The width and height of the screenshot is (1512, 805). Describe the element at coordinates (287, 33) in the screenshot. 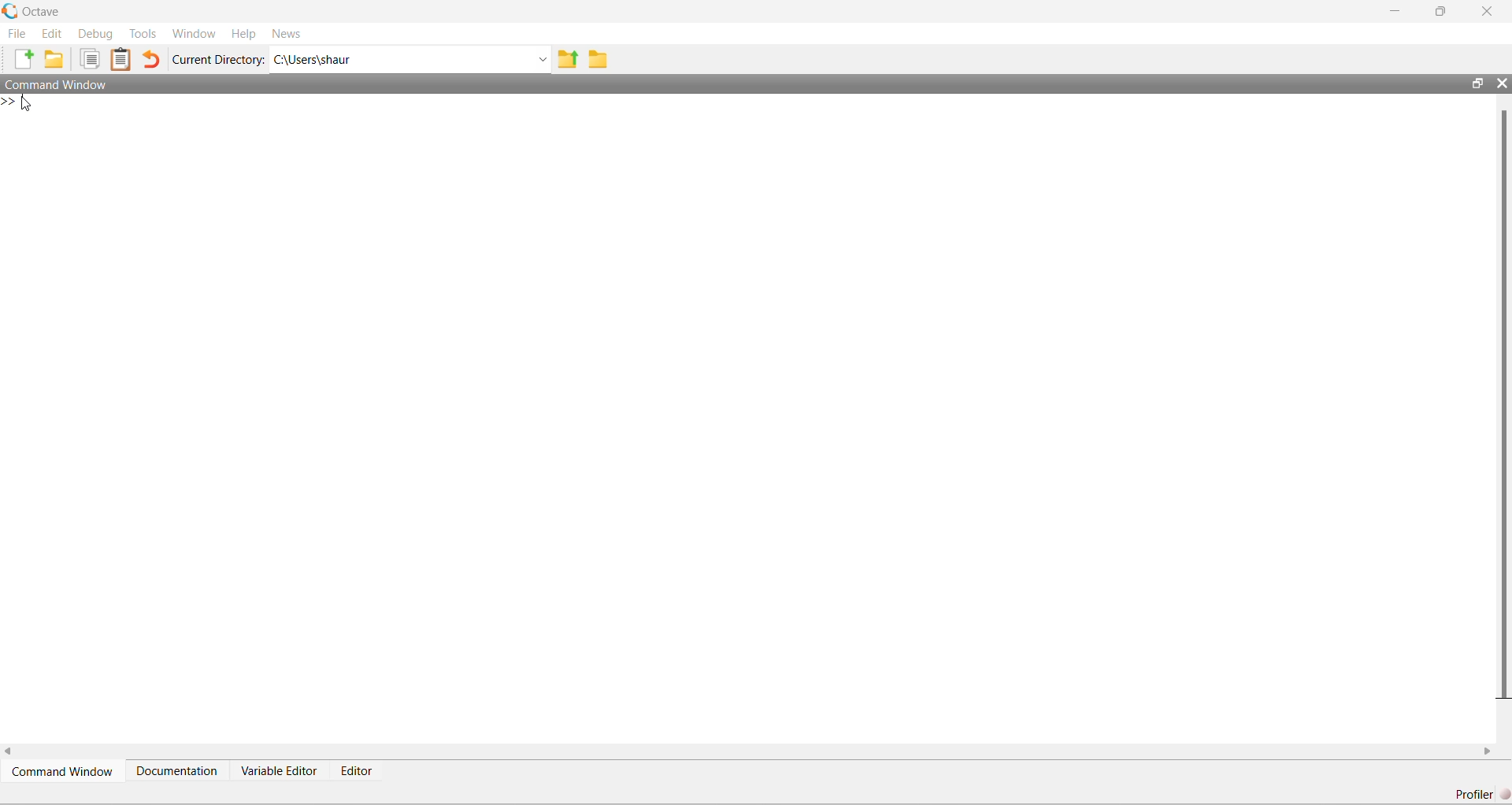

I see `News` at that location.